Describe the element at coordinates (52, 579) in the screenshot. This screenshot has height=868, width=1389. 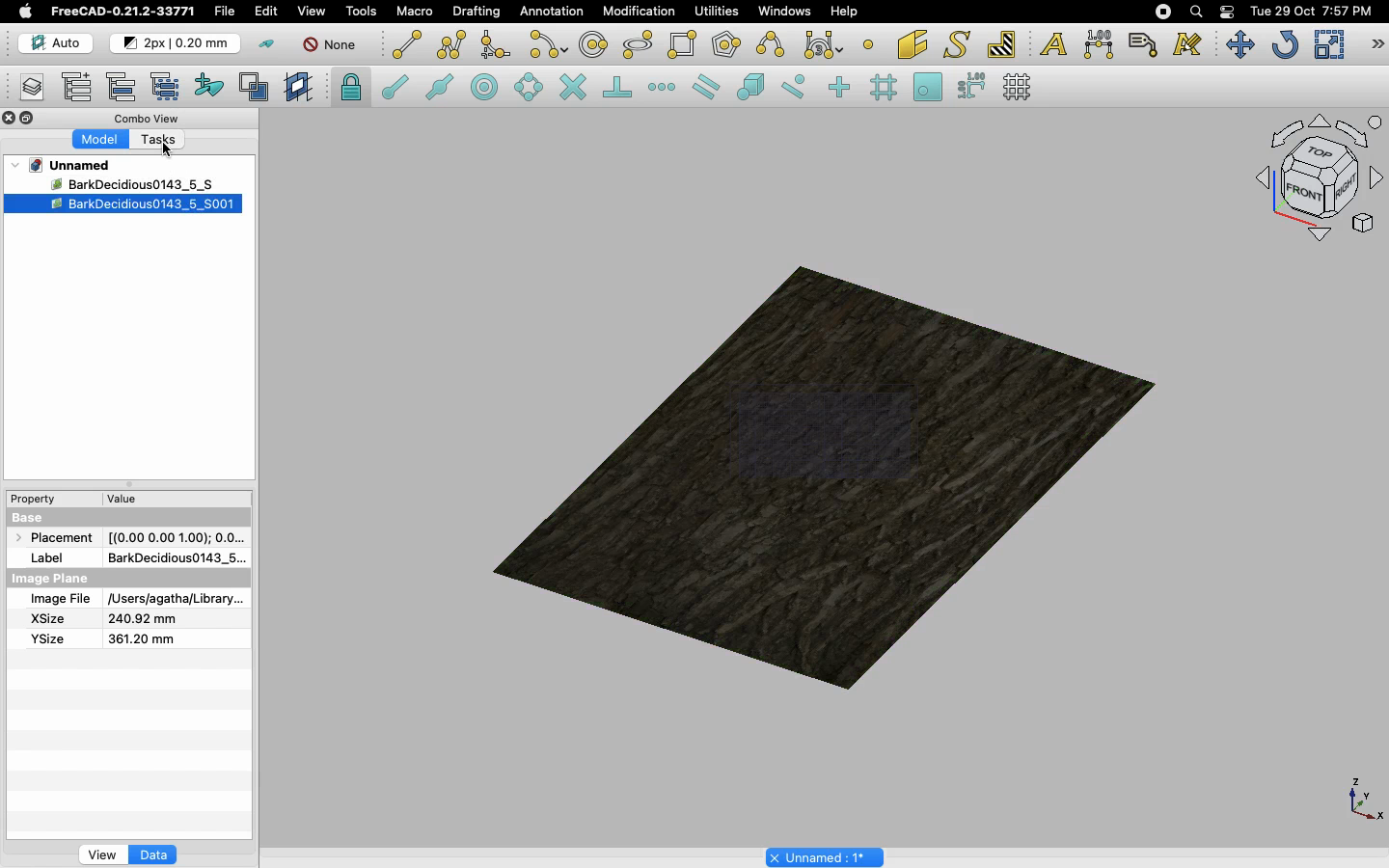
I see `Image Plane` at that location.